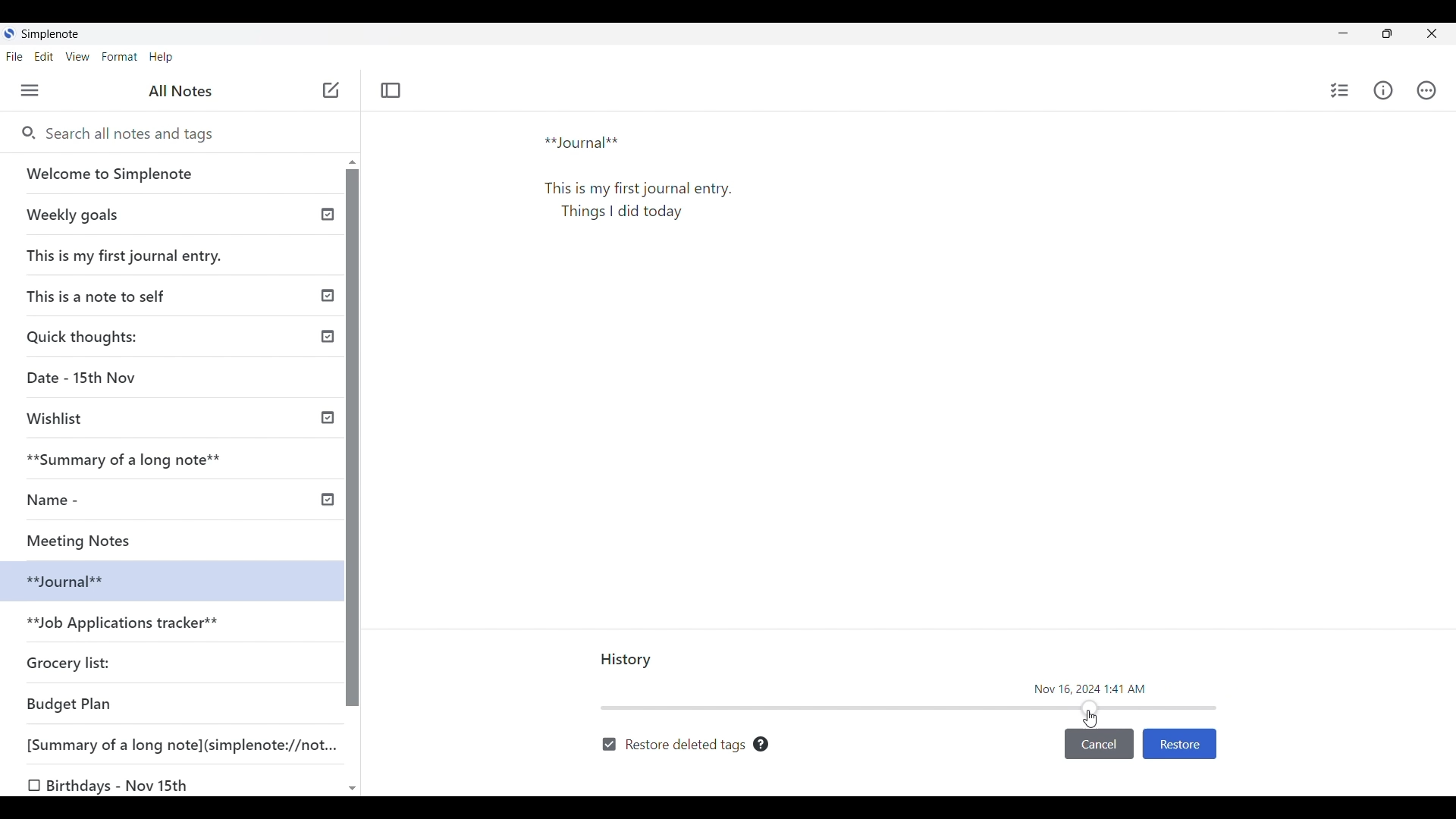 This screenshot has height=819, width=1456. What do you see at coordinates (15, 57) in the screenshot?
I see `File menu` at bounding box center [15, 57].